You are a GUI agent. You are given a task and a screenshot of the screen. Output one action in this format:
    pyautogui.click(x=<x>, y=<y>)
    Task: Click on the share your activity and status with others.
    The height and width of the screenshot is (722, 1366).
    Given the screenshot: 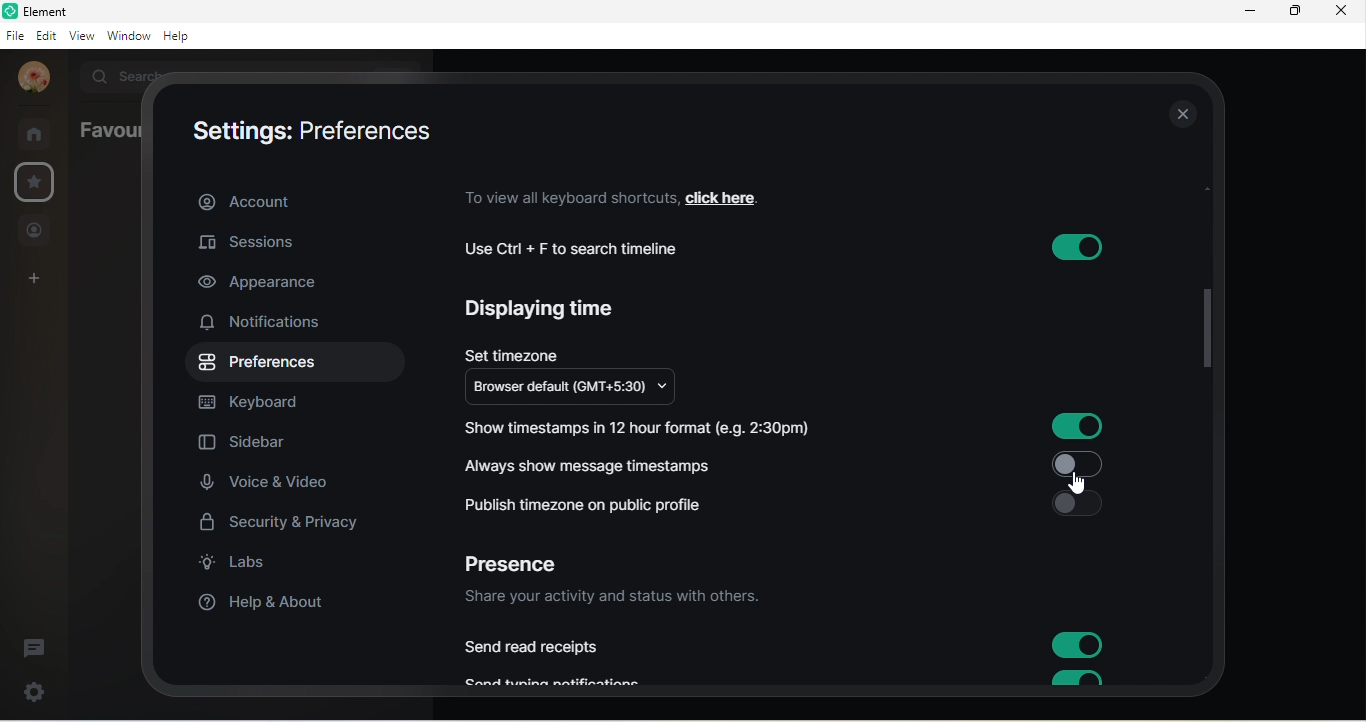 What is the action you would take?
    pyautogui.click(x=619, y=598)
    